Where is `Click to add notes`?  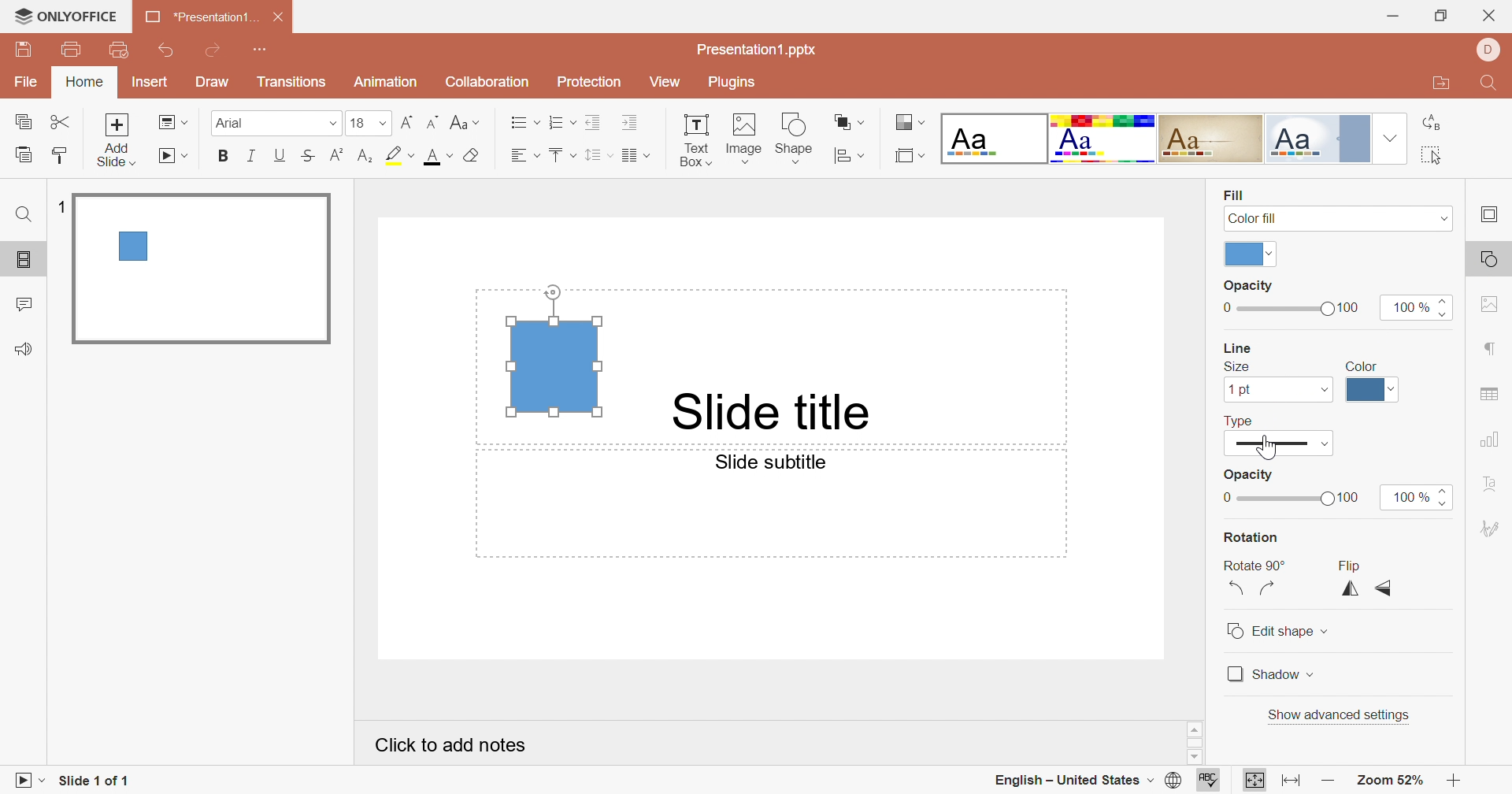 Click to add notes is located at coordinates (452, 748).